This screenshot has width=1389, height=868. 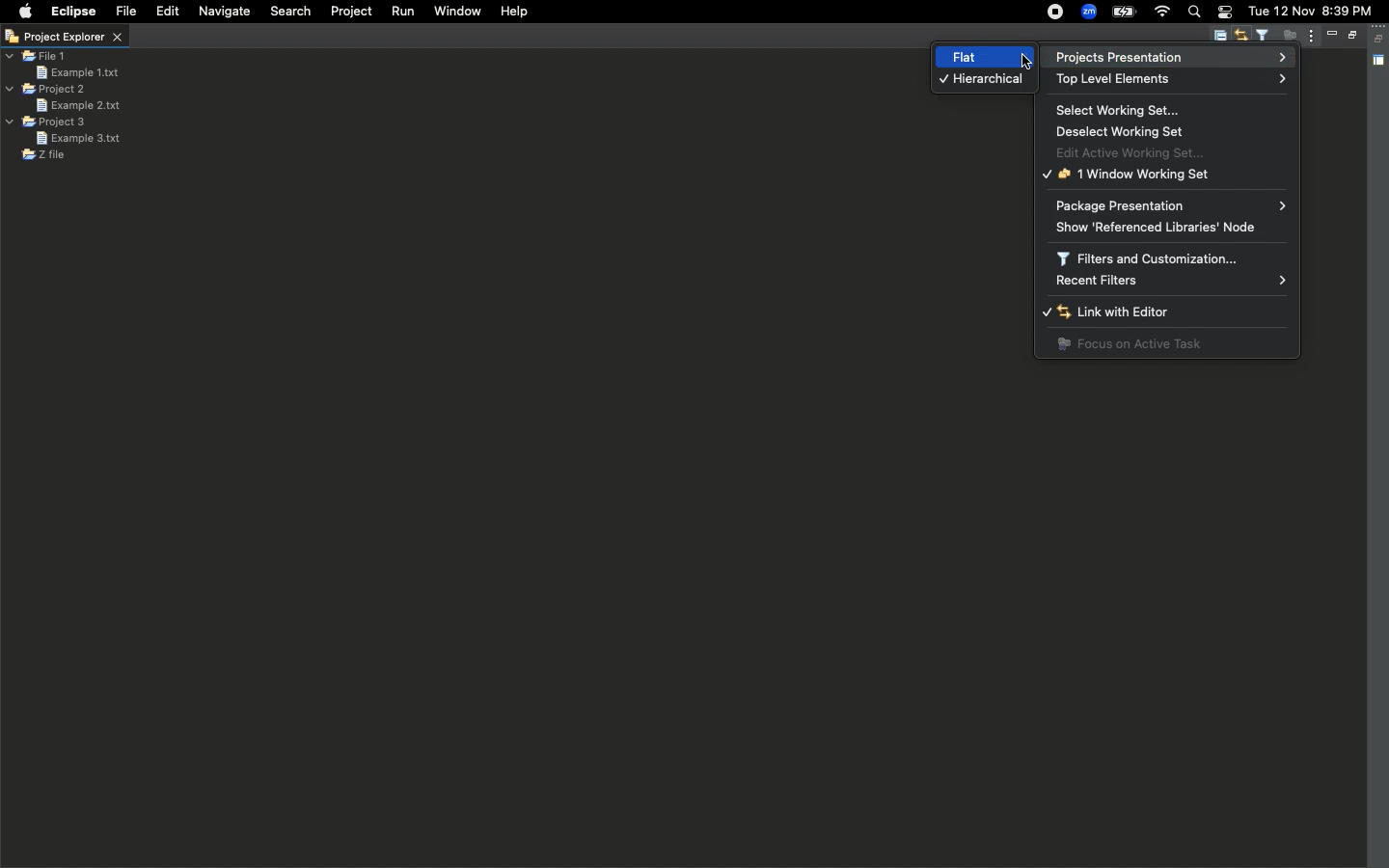 What do you see at coordinates (1130, 344) in the screenshot?
I see `Focus on active task` at bounding box center [1130, 344].